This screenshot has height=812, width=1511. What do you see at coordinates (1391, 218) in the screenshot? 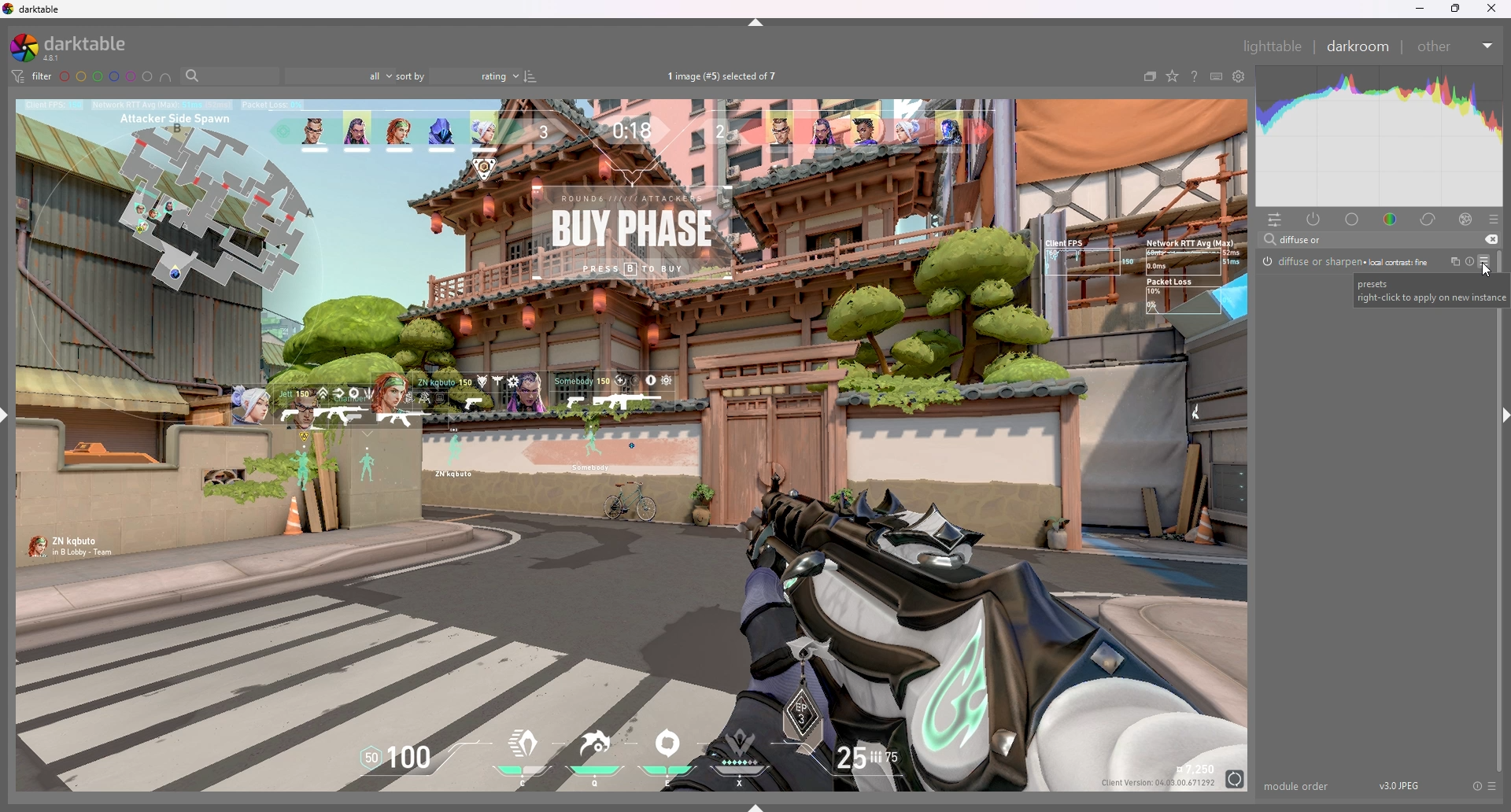
I see `color` at bounding box center [1391, 218].